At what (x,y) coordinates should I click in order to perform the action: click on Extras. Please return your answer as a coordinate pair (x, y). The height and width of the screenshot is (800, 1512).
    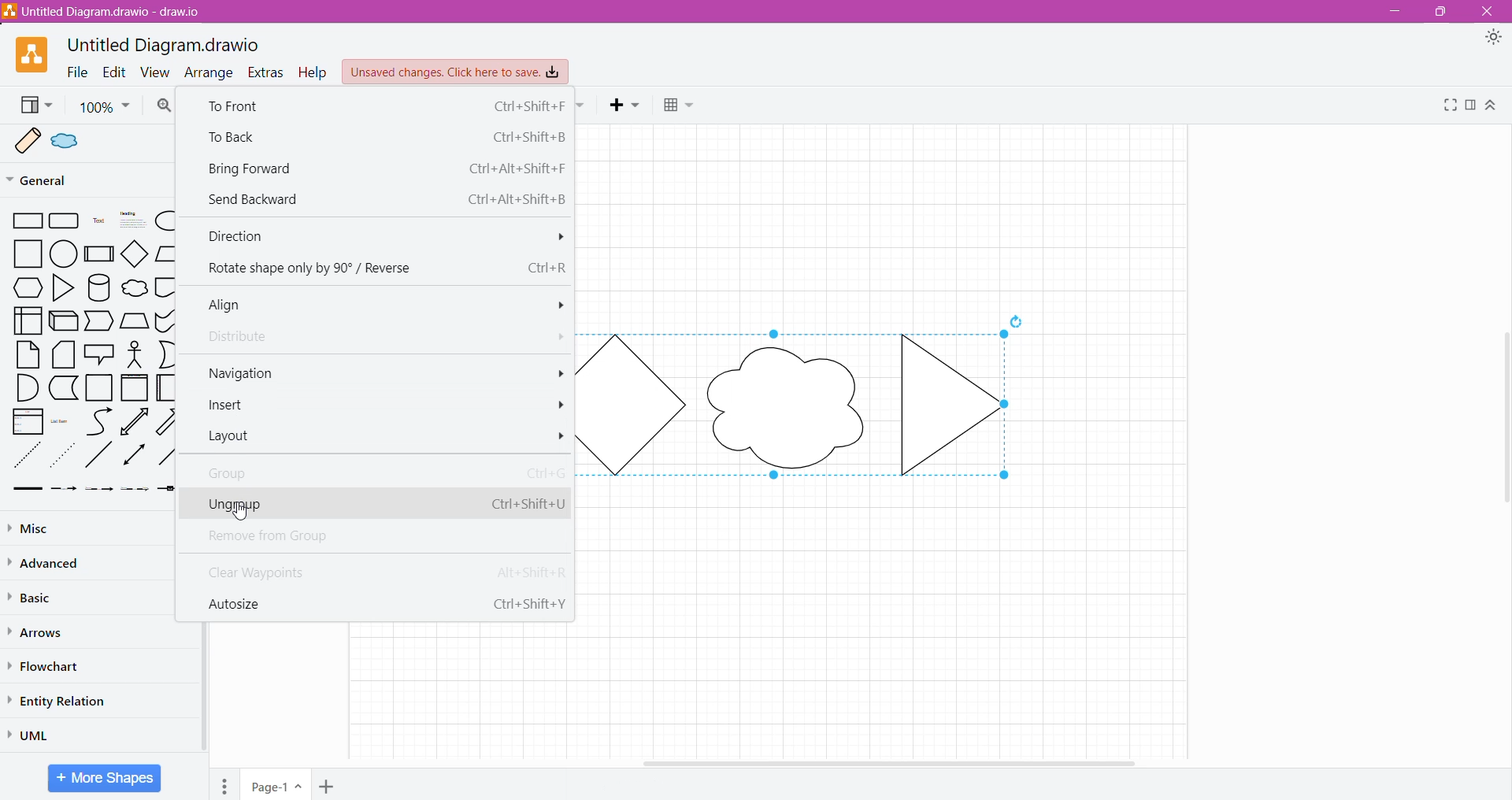
    Looking at the image, I should click on (265, 74).